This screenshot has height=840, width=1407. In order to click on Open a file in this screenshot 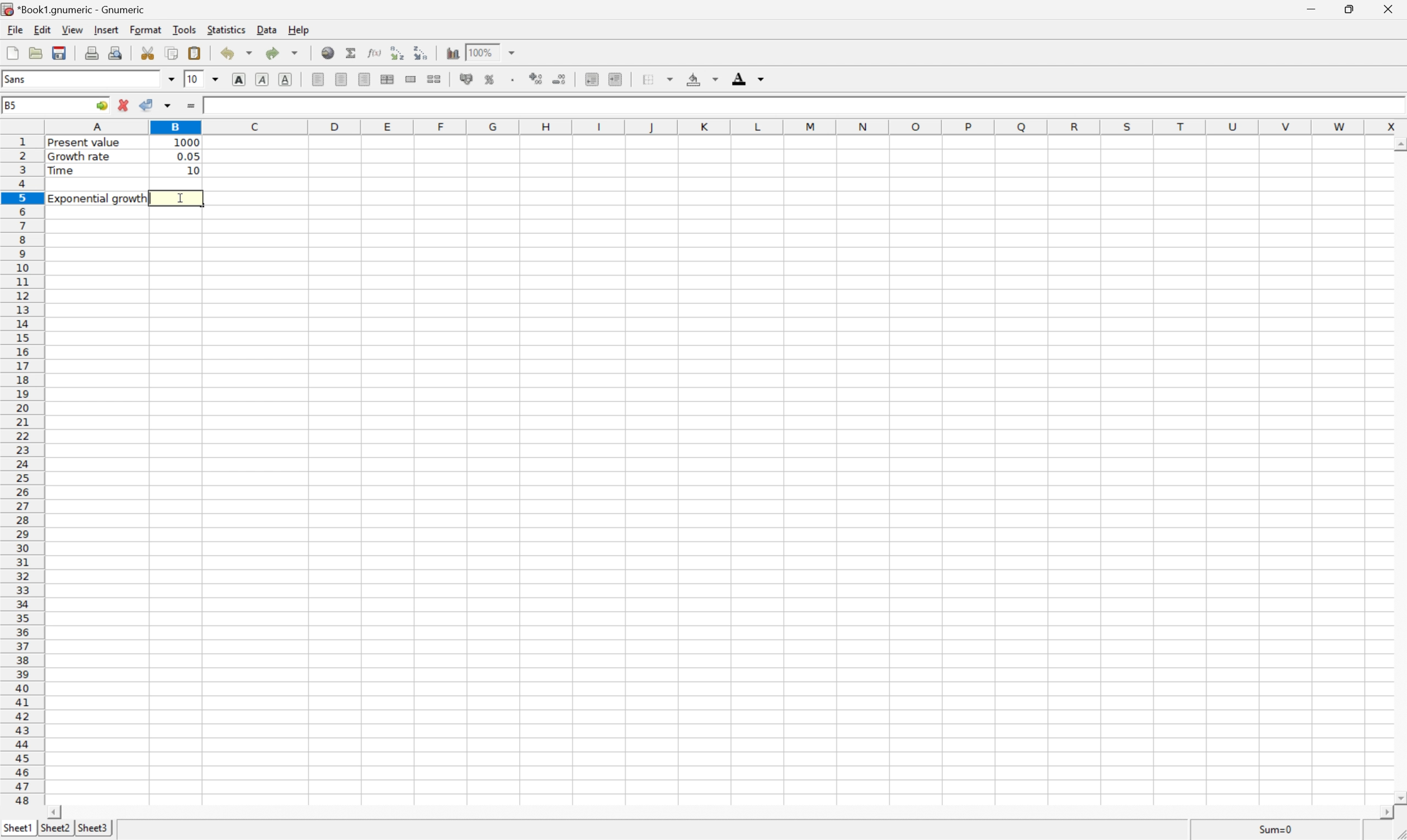, I will do `click(37, 53)`.